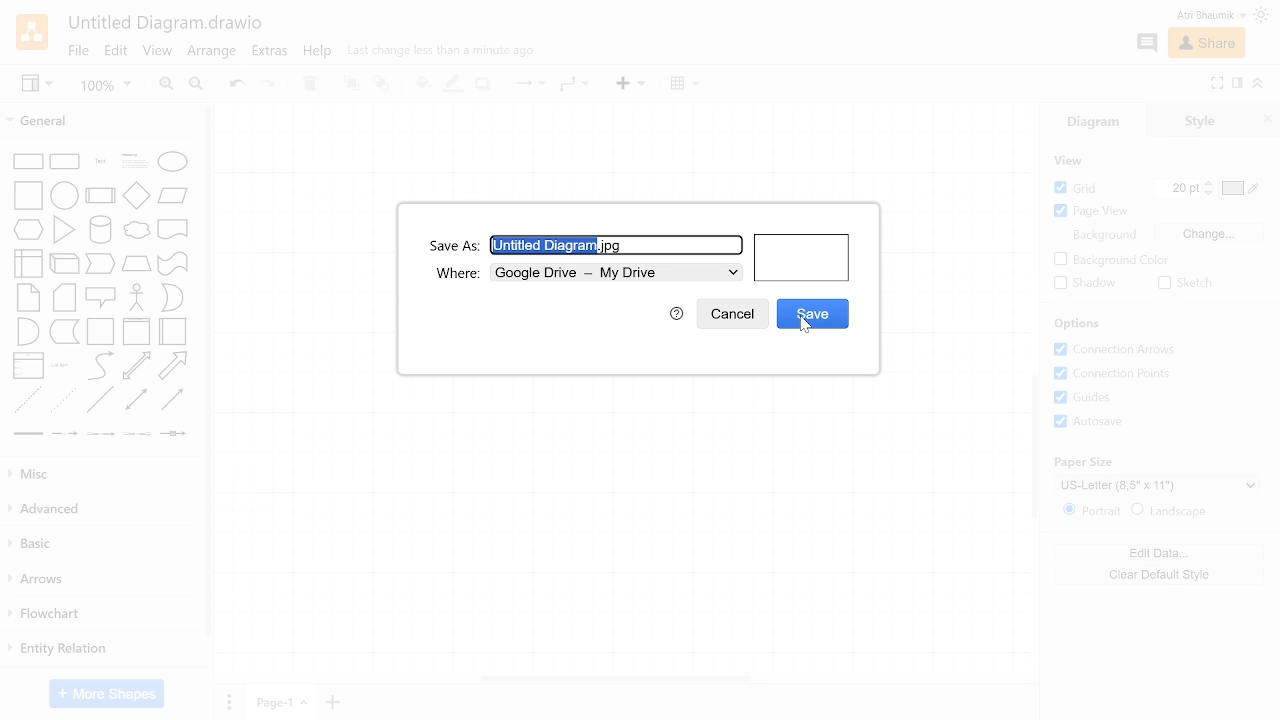 Image resolution: width=1280 pixels, height=720 pixels. I want to click on Extras, so click(270, 52).